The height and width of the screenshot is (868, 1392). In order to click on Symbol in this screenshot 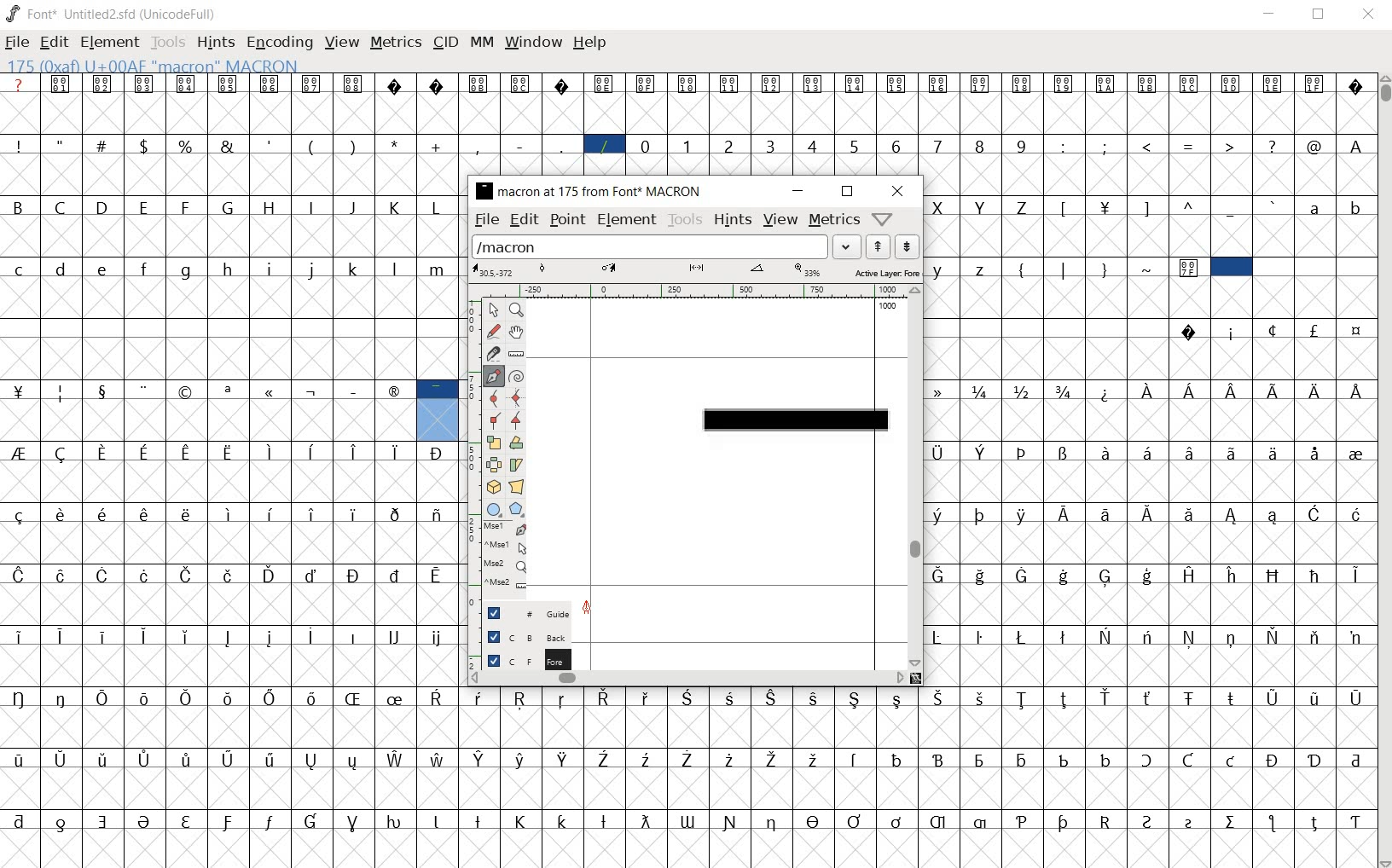, I will do `click(356, 451)`.